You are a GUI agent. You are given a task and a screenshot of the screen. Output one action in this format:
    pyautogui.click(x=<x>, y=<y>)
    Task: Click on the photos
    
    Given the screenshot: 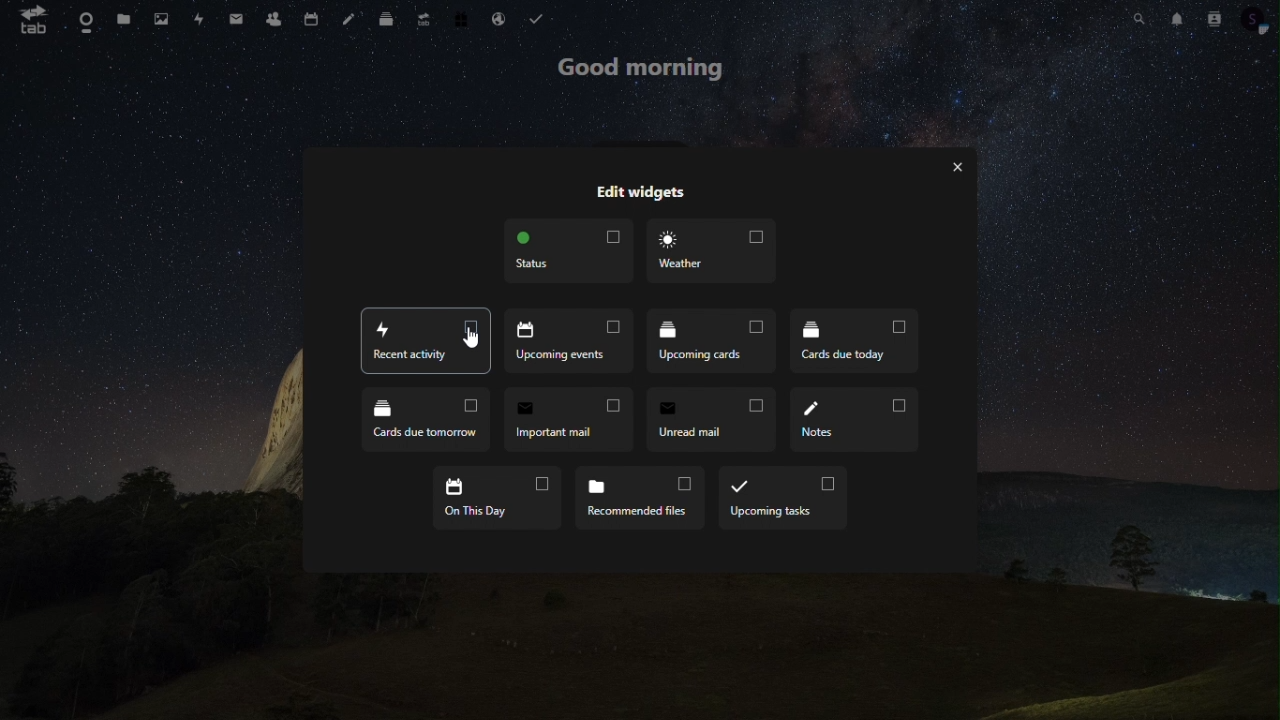 What is the action you would take?
    pyautogui.click(x=164, y=21)
    